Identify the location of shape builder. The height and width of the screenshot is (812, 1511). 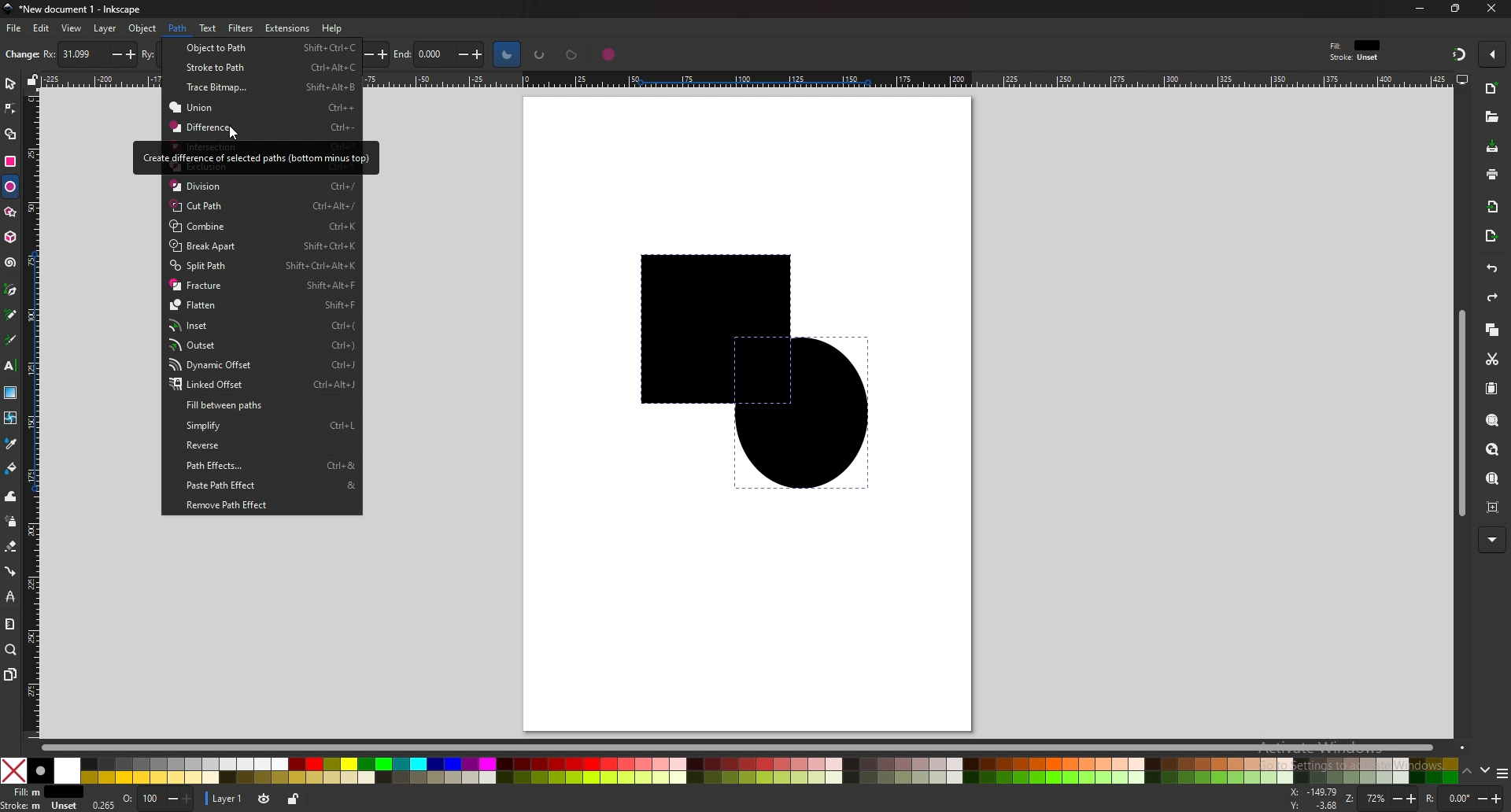
(9, 135).